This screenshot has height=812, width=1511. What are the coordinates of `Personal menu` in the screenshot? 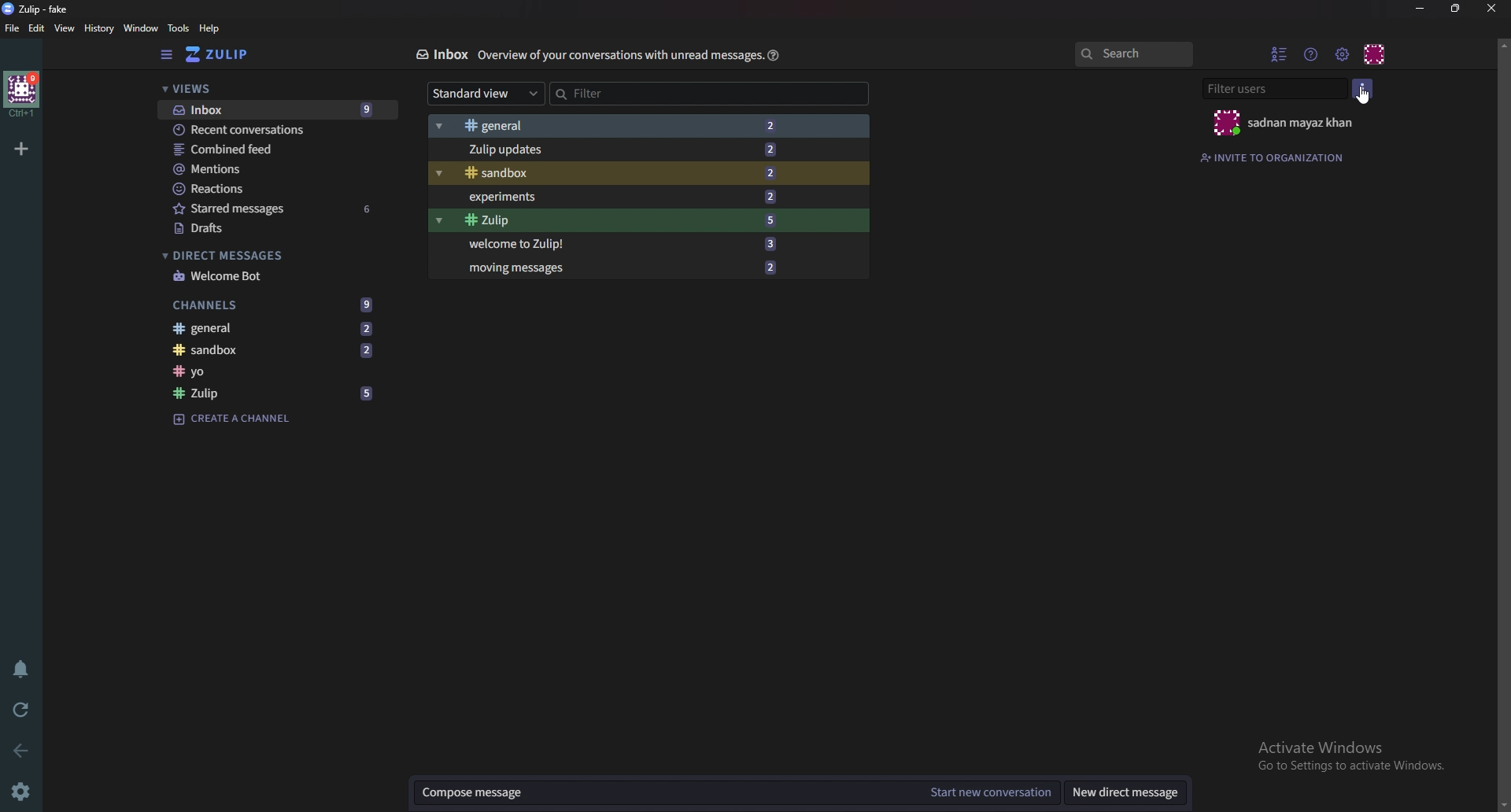 It's located at (1374, 55).